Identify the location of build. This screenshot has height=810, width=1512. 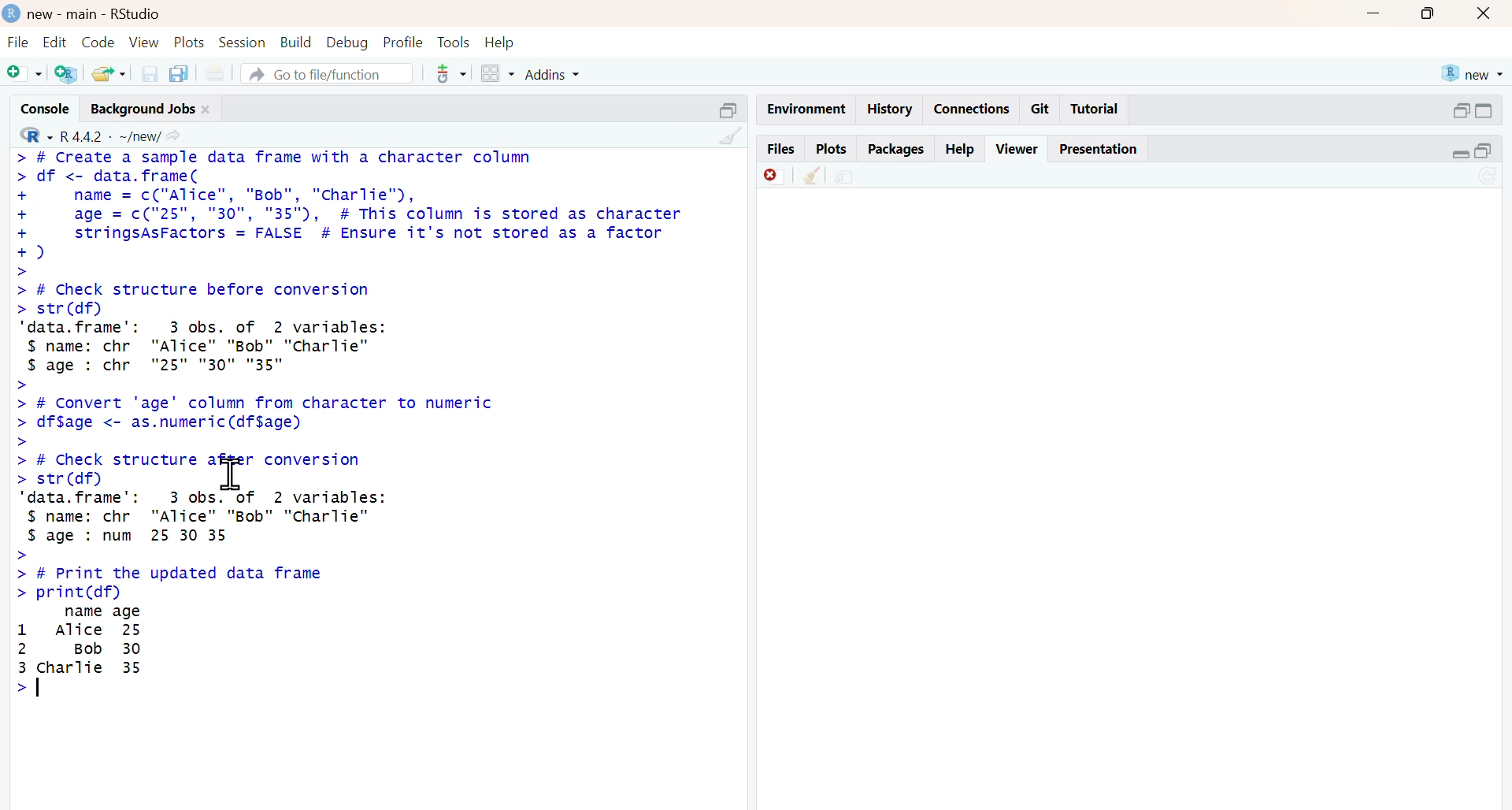
(297, 43).